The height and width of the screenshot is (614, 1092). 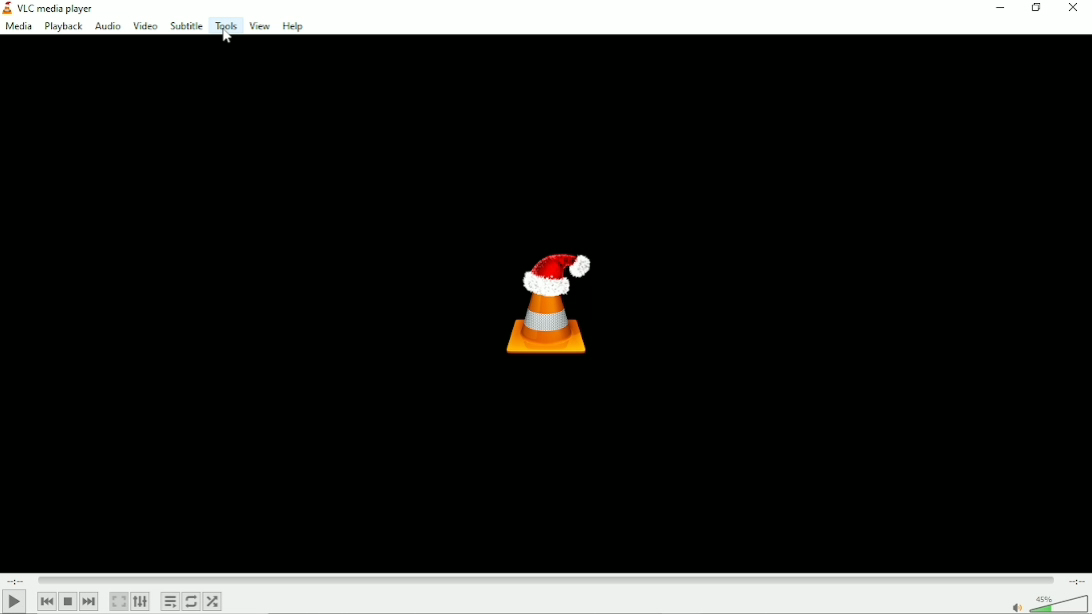 What do you see at coordinates (228, 39) in the screenshot?
I see `Cursor` at bounding box center [228, 39].